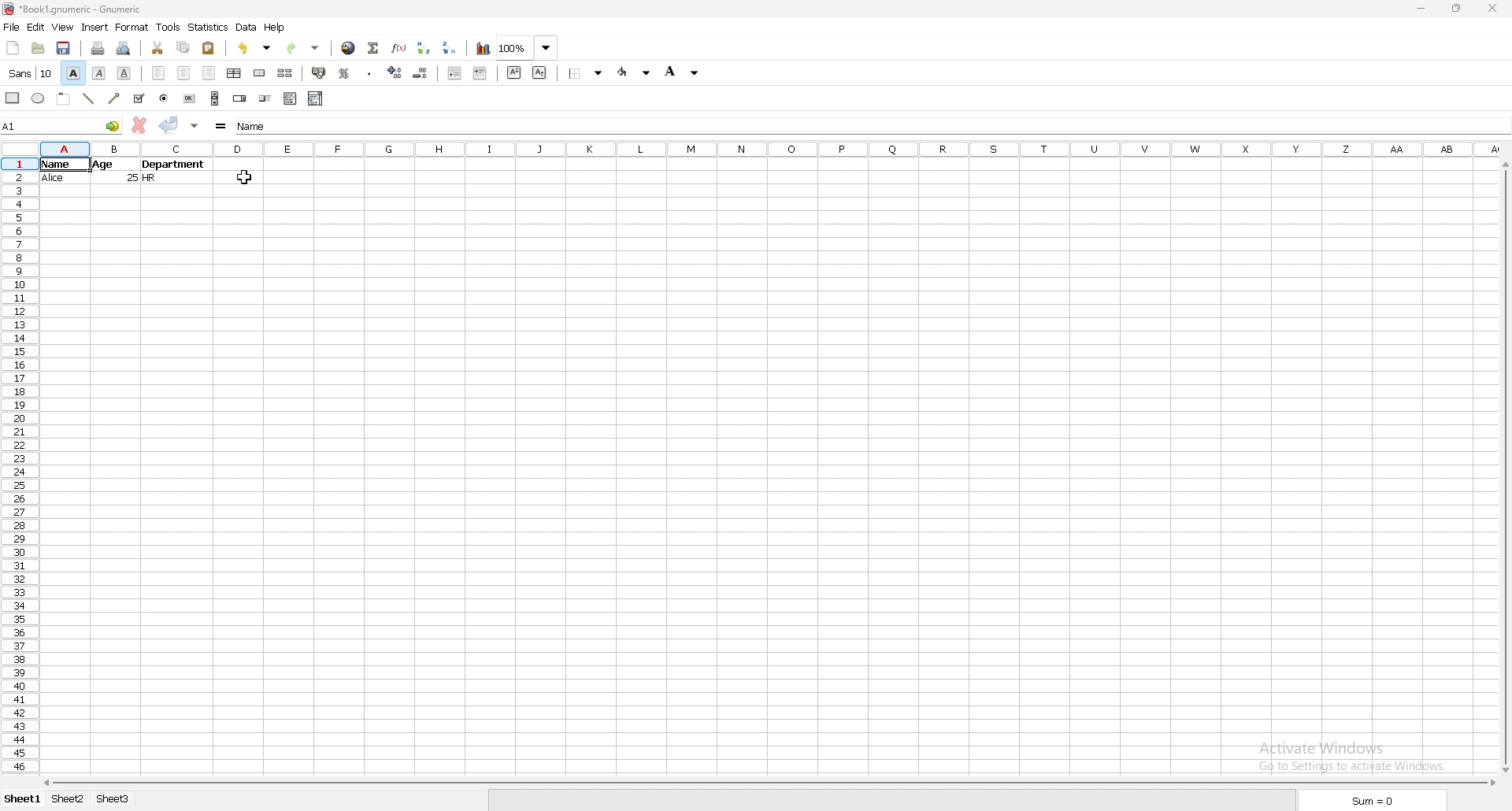 This screenshot has height=811, width=1512. I want to click on redo, so click(303, 49).